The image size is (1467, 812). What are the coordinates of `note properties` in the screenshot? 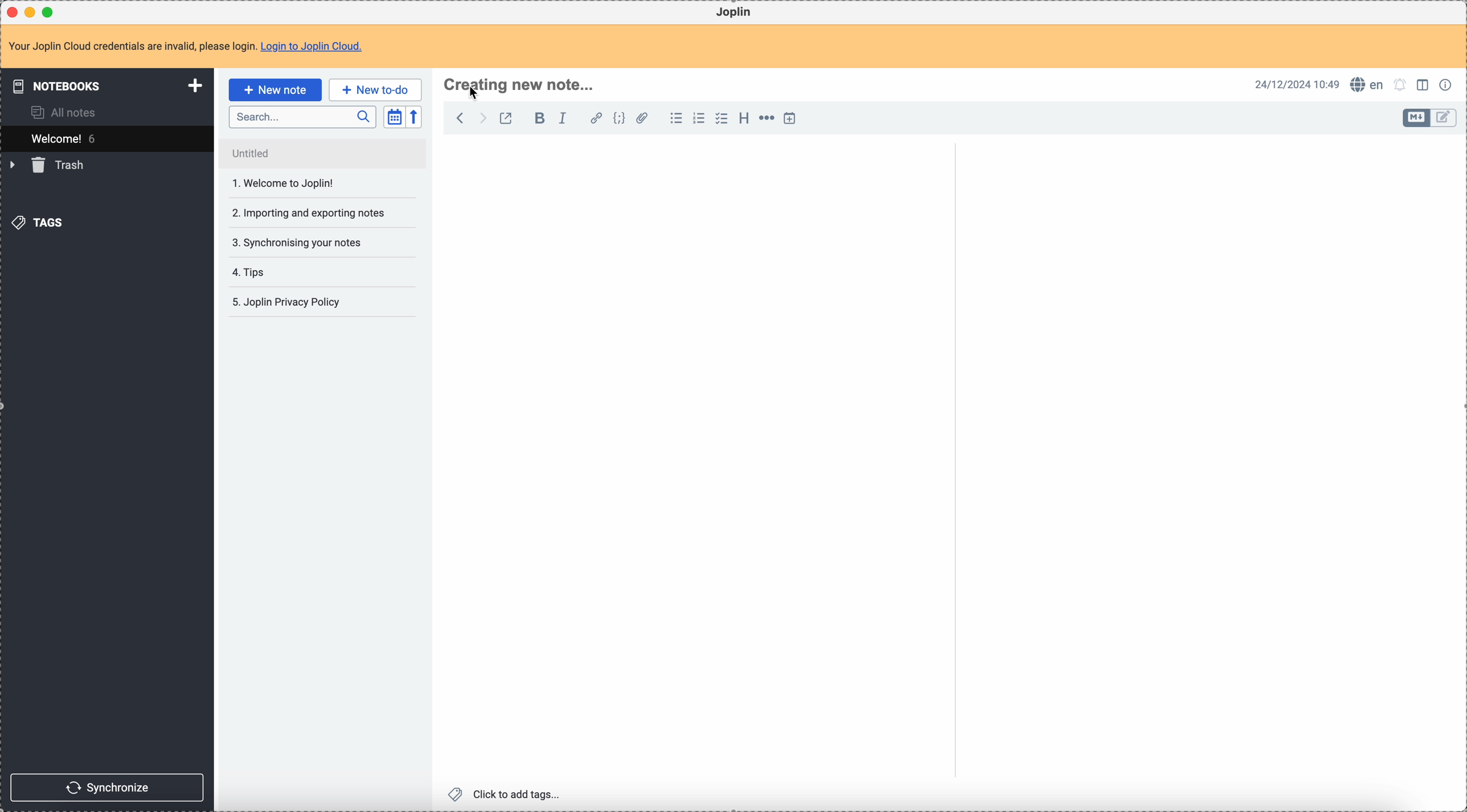 It's located at (1448, 84).